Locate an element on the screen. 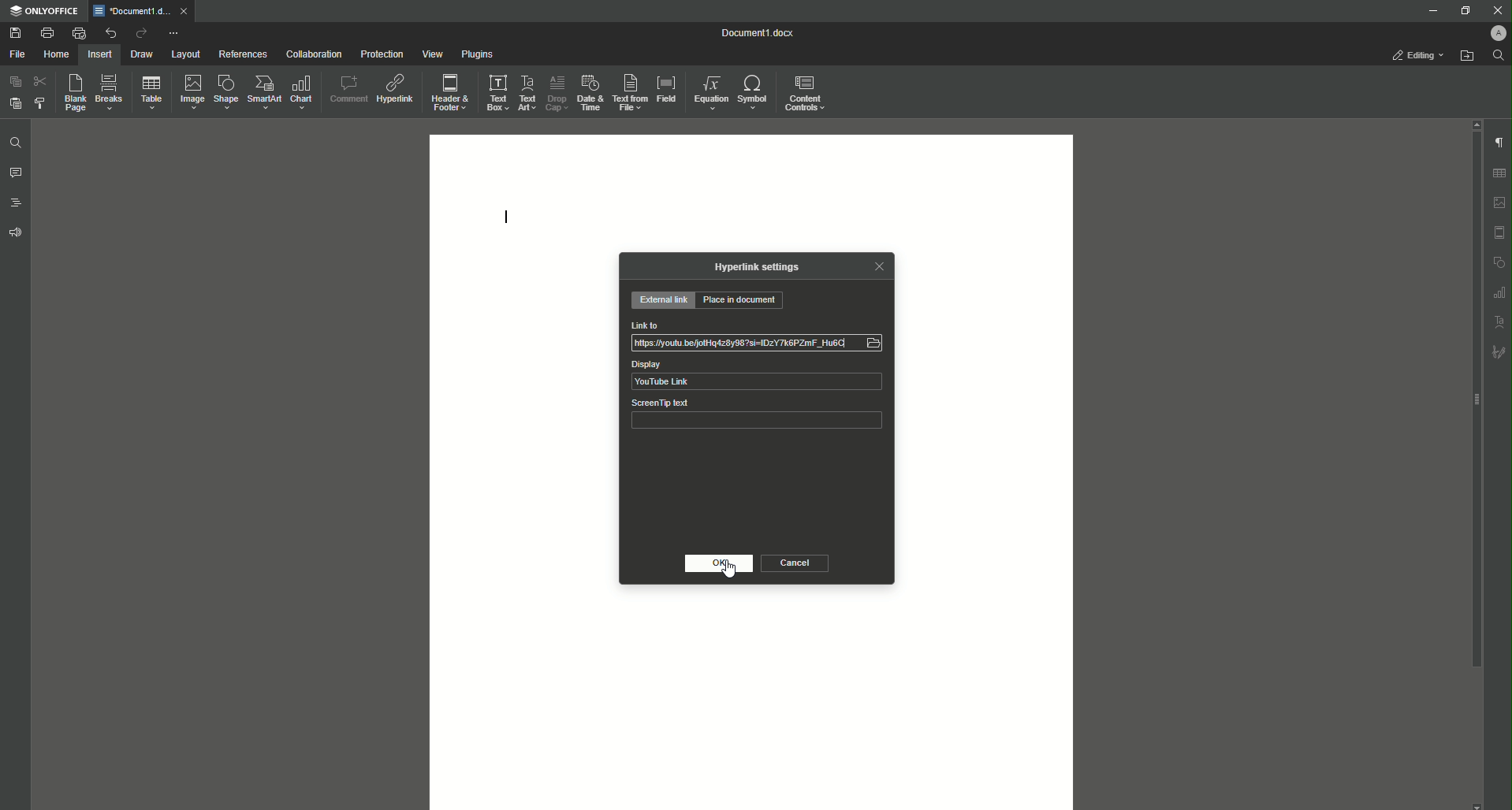 This screenshot has width=1512, height=810. Editing is located at coordinates (1413, 54).